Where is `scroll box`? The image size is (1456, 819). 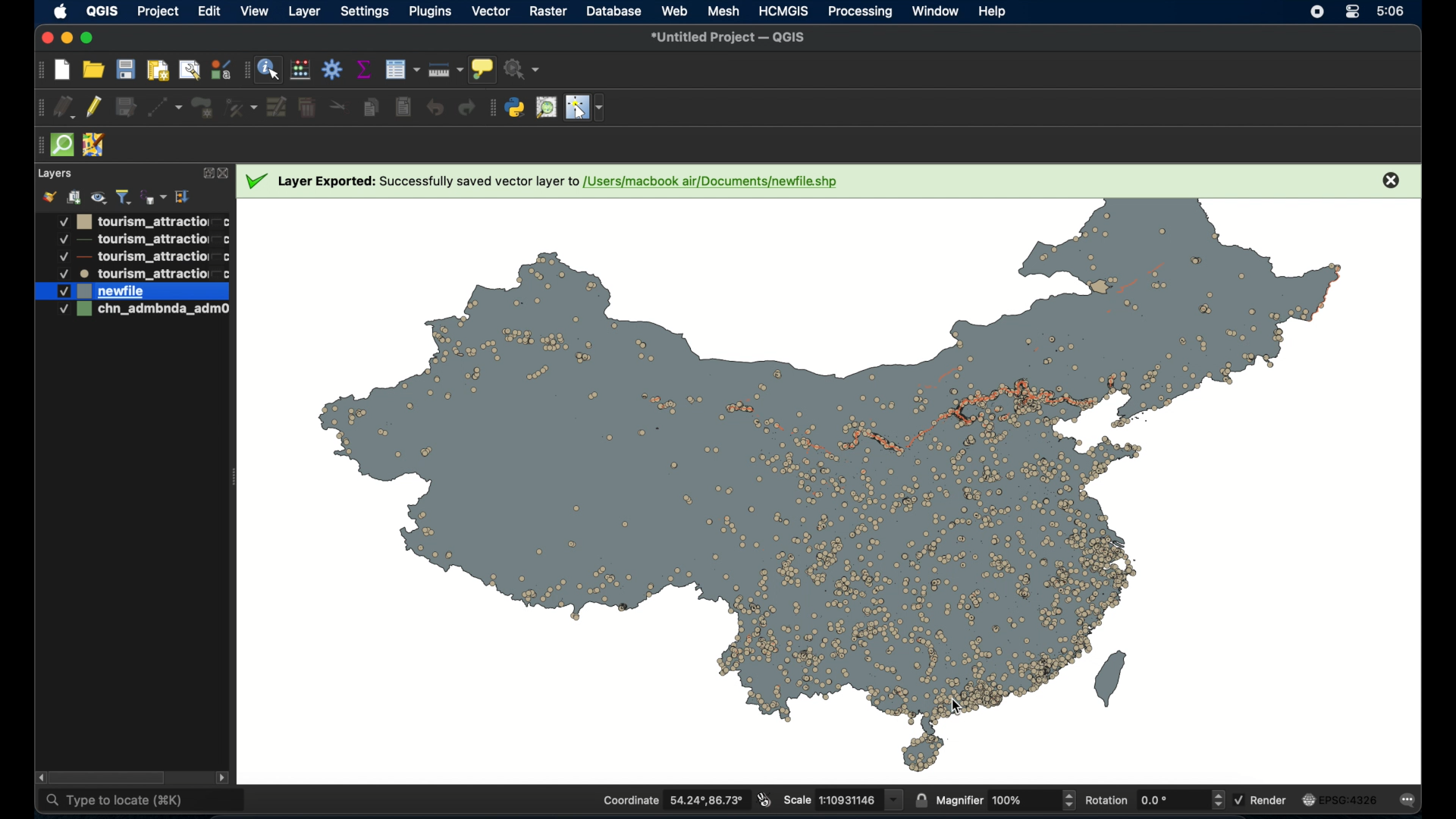 scroll box is located at coordinates (109, 777).